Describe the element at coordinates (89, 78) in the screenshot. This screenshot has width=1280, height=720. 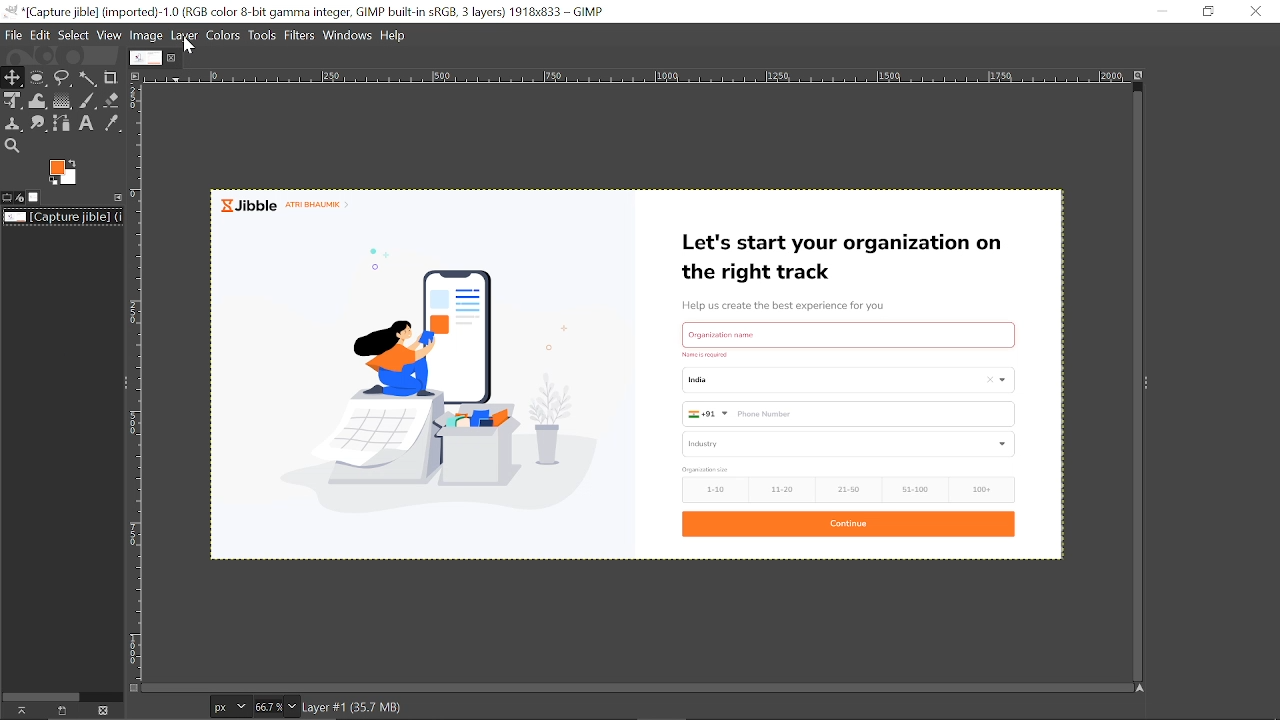
I see `Fuzzy select tool` at that location.